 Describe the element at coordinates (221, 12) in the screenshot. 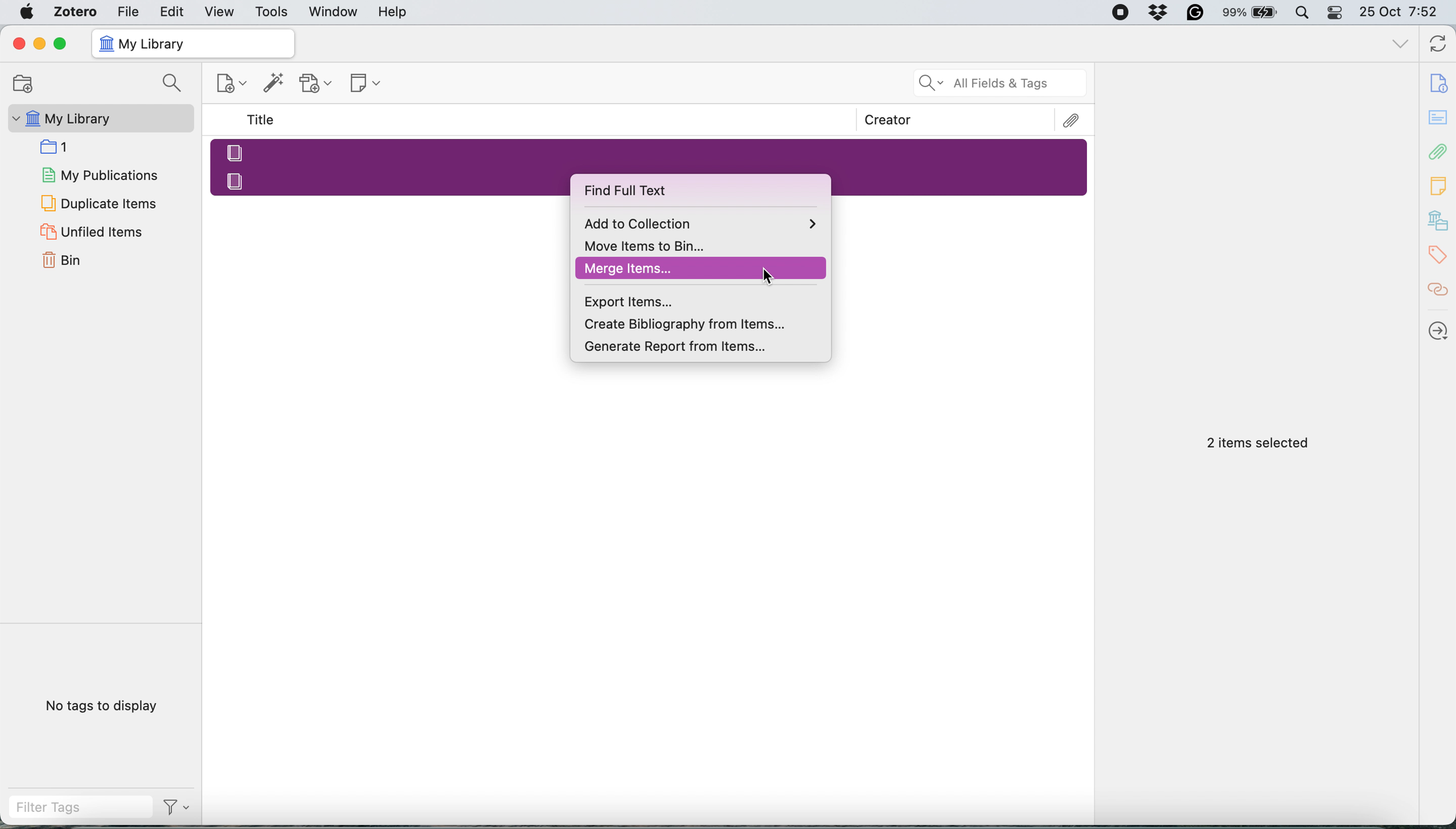

I see `View` at that location.